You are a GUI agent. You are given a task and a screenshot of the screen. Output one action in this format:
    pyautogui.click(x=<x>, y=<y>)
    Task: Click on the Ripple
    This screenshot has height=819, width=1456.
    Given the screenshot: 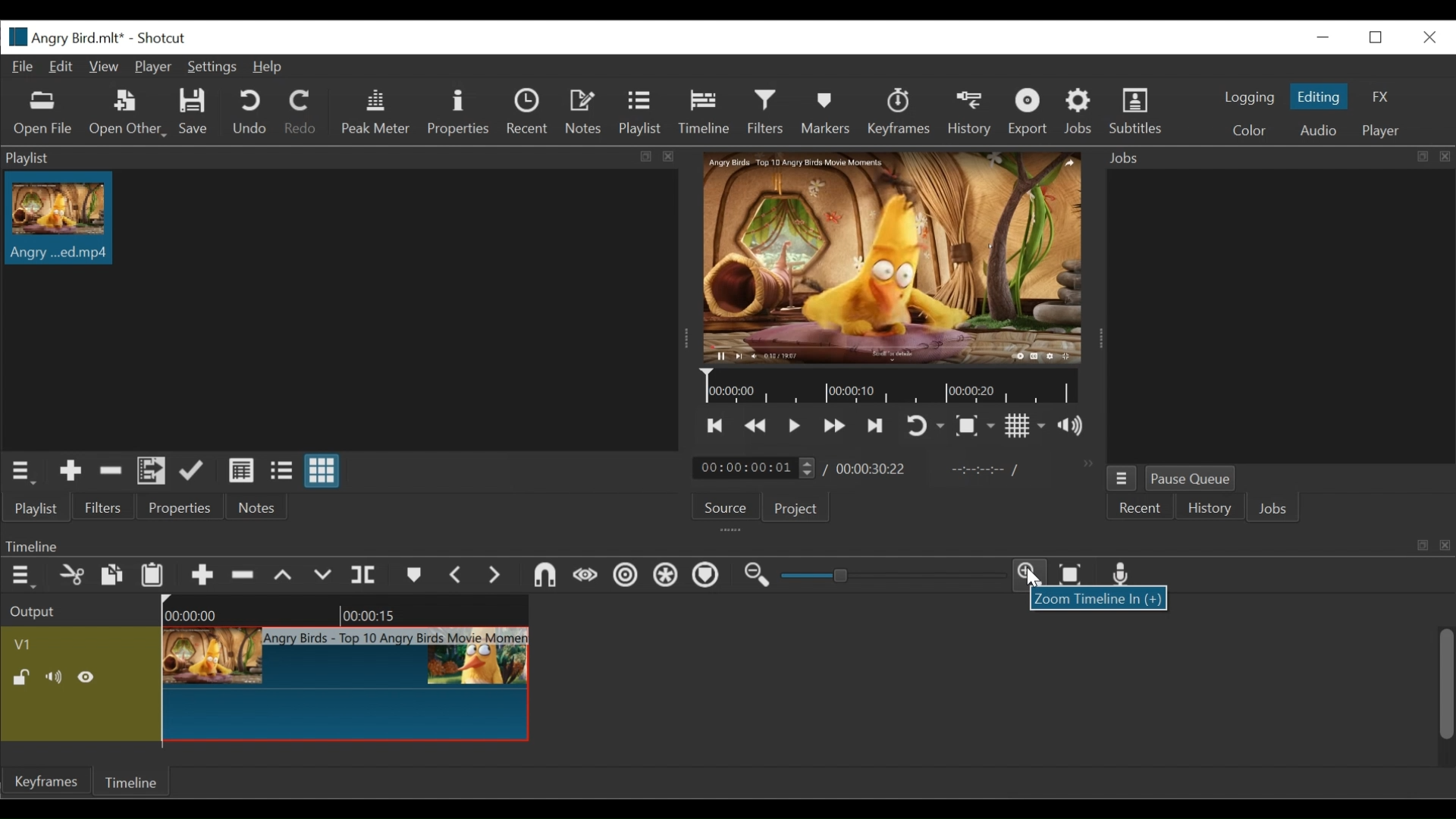 What is the action you would take?
    pyautogui.click(x=627, y=577)
    